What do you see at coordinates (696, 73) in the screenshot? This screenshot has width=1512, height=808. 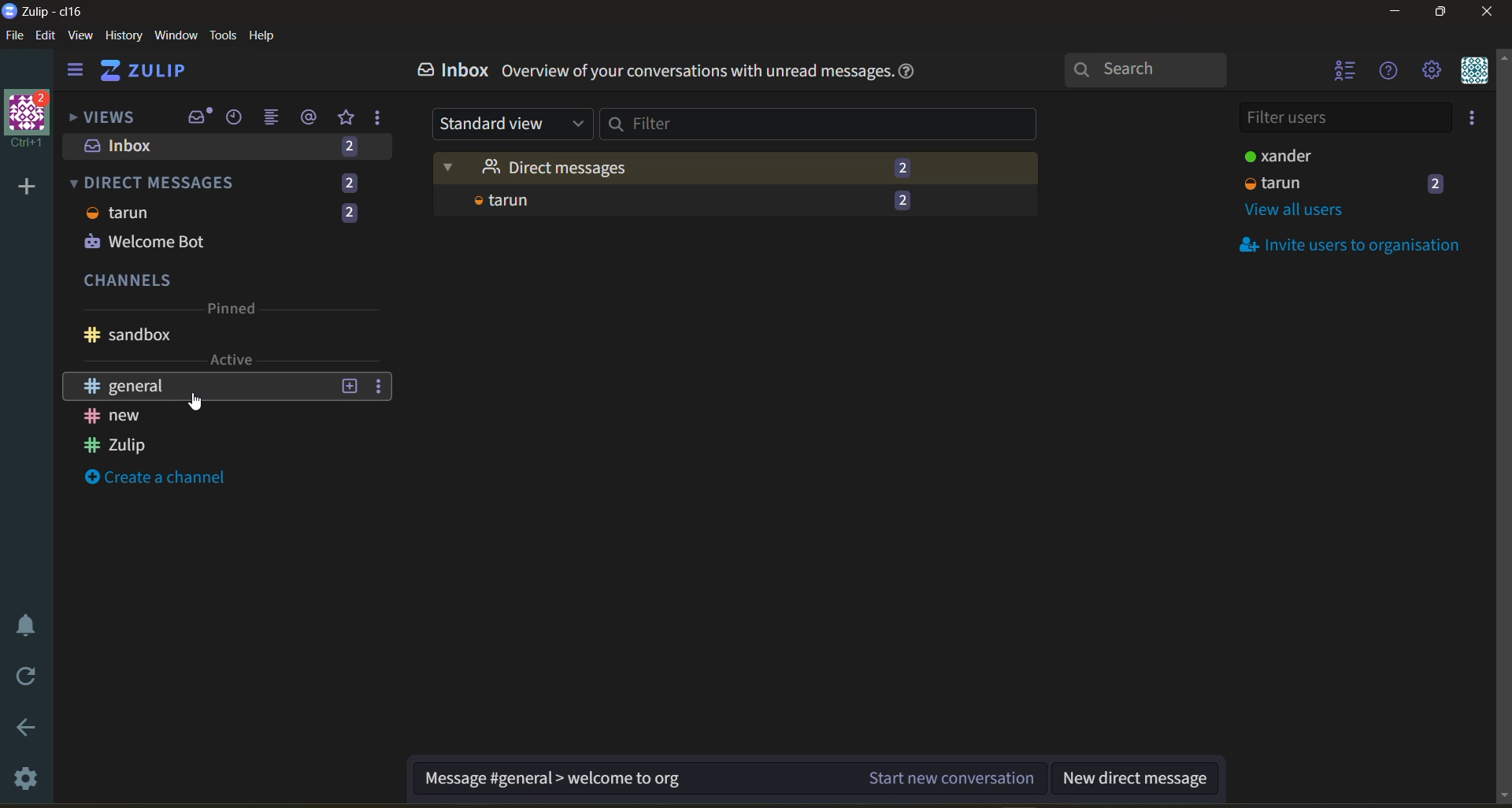 I see `Overview of your conversations with unread messages` at bounding box center [696, 73].